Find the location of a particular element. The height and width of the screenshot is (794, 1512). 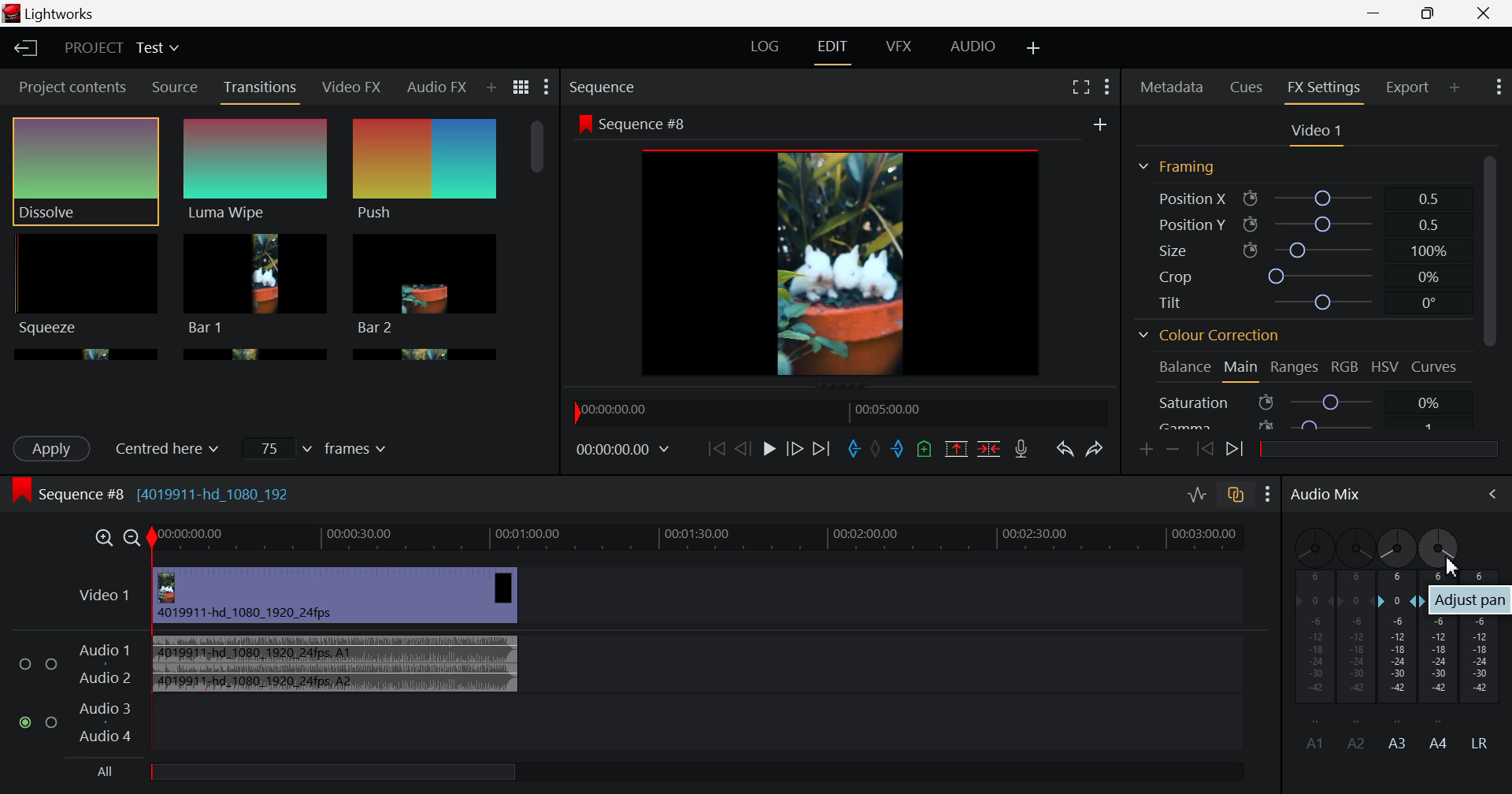

Crop is located at coordinates (1303, 275).